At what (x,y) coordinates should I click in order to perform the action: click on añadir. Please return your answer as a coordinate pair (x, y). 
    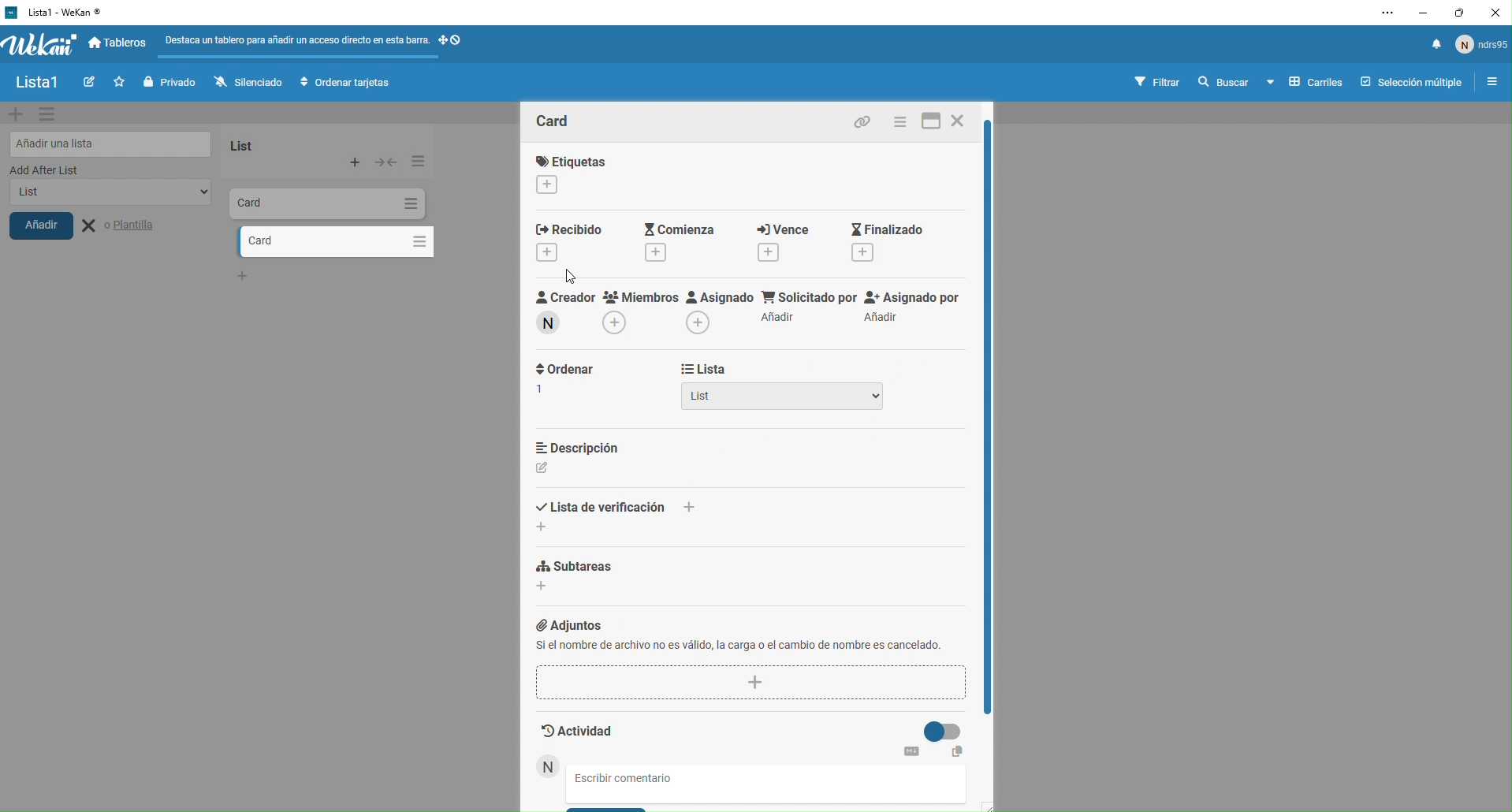
    Looking at the image, I should click on (54, 230).